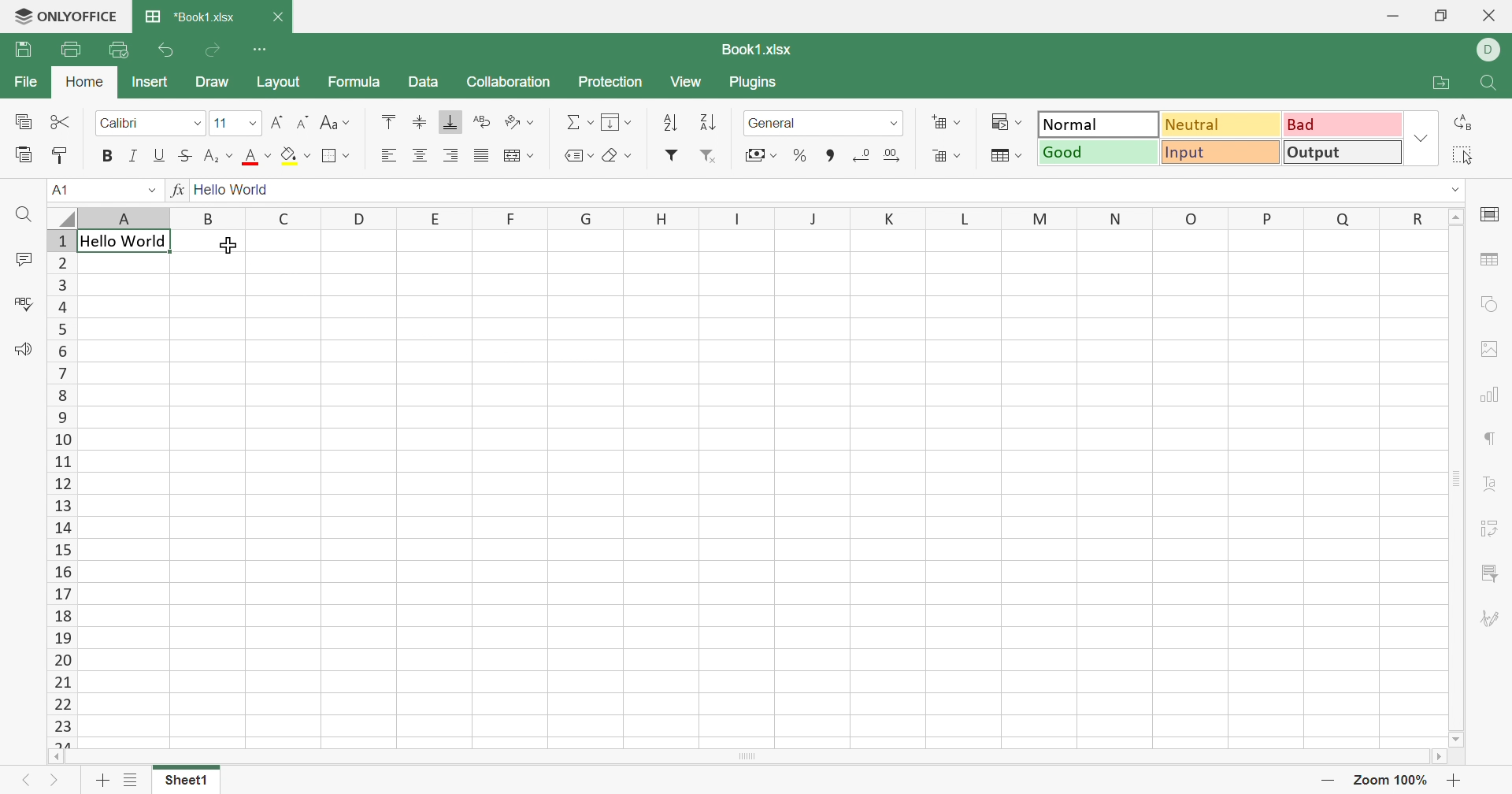  I want to click on Drop down, so click(147, 190).